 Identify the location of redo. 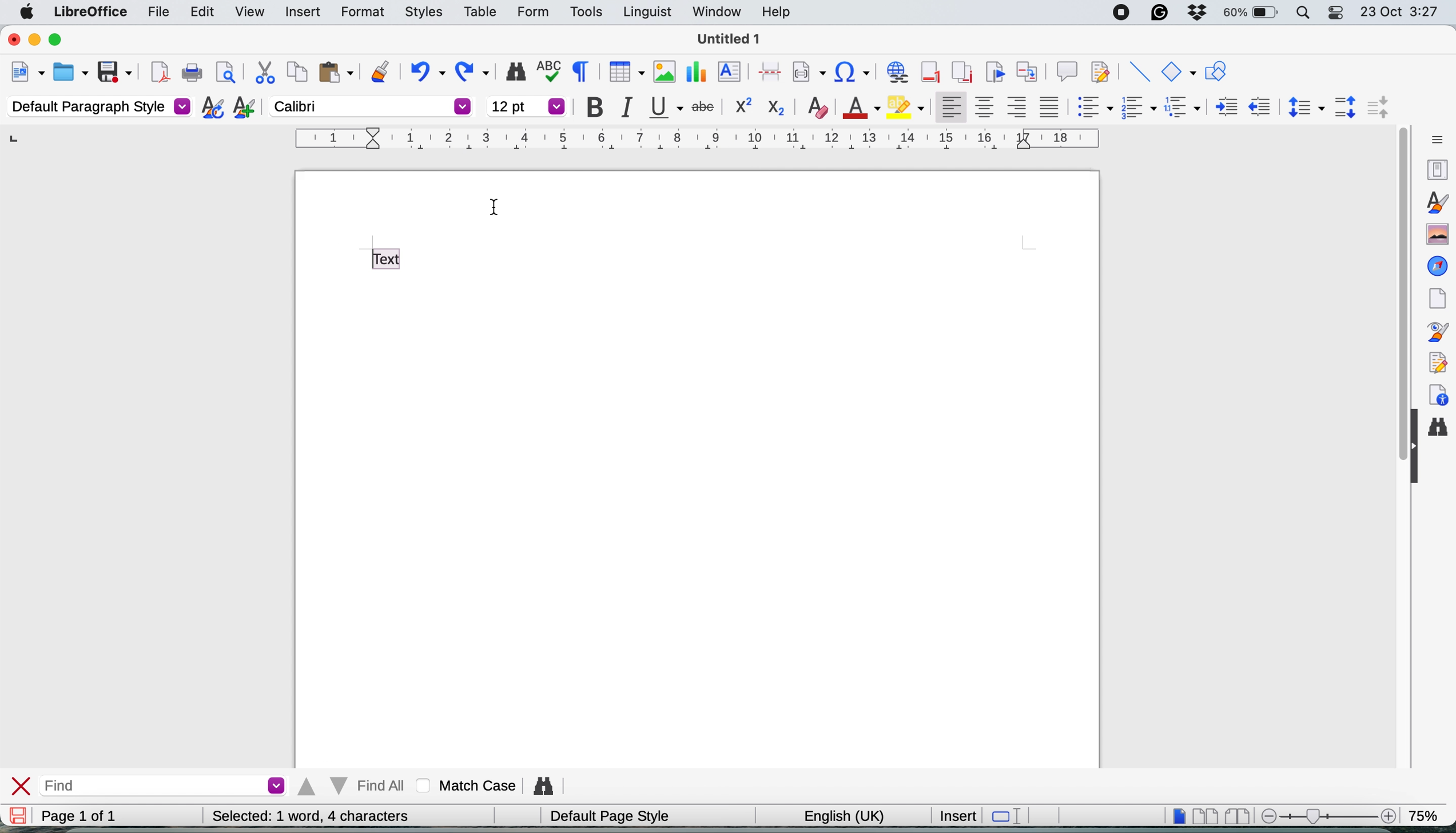
(476, 72).